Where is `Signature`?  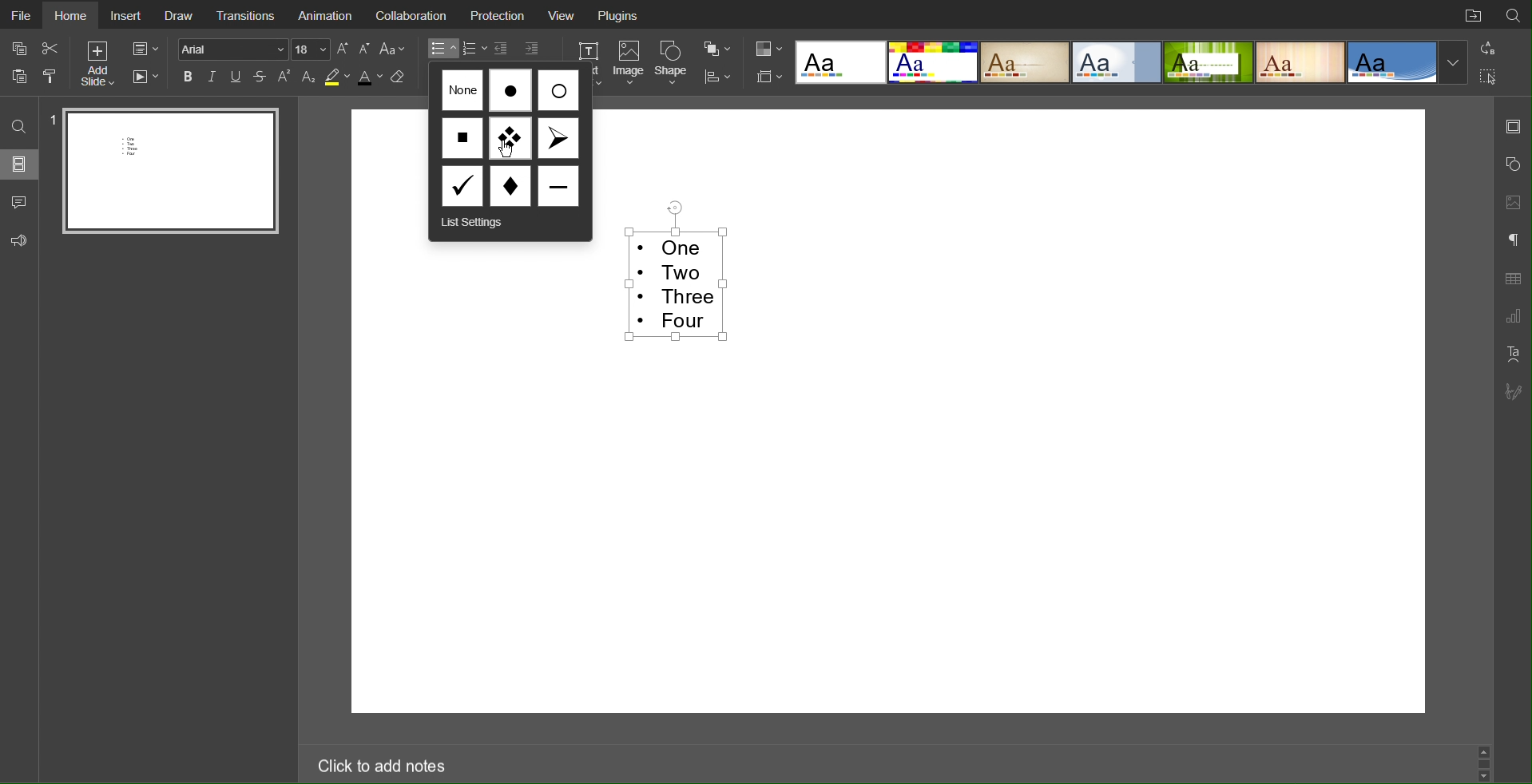
Signature is located at coordinates (1512, 389).